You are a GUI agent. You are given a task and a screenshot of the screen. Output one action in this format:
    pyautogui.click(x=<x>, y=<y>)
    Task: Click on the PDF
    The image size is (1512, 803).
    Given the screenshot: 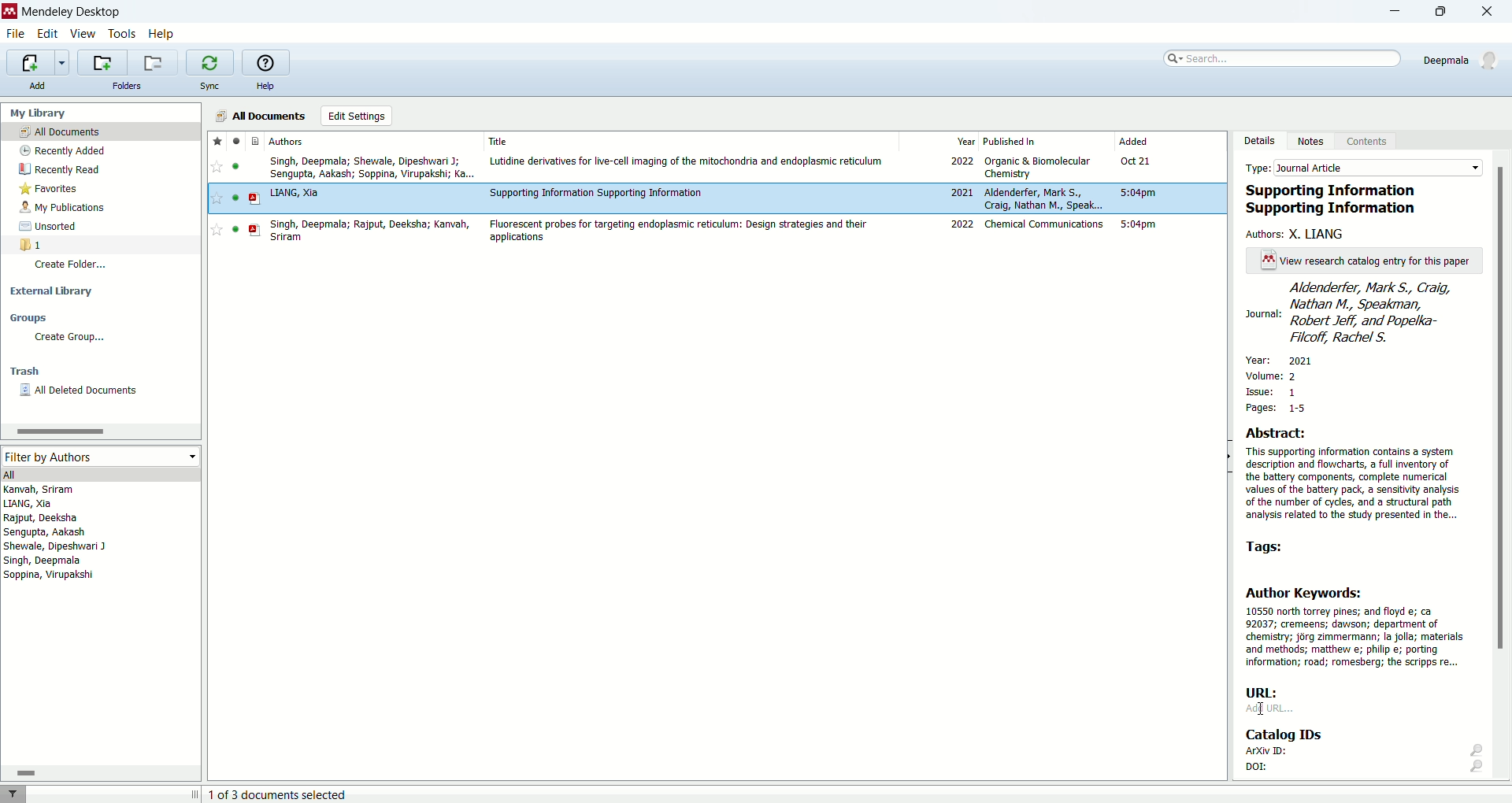 What is the action you would take?
    pyautogui.click(x=255, y=230)
    